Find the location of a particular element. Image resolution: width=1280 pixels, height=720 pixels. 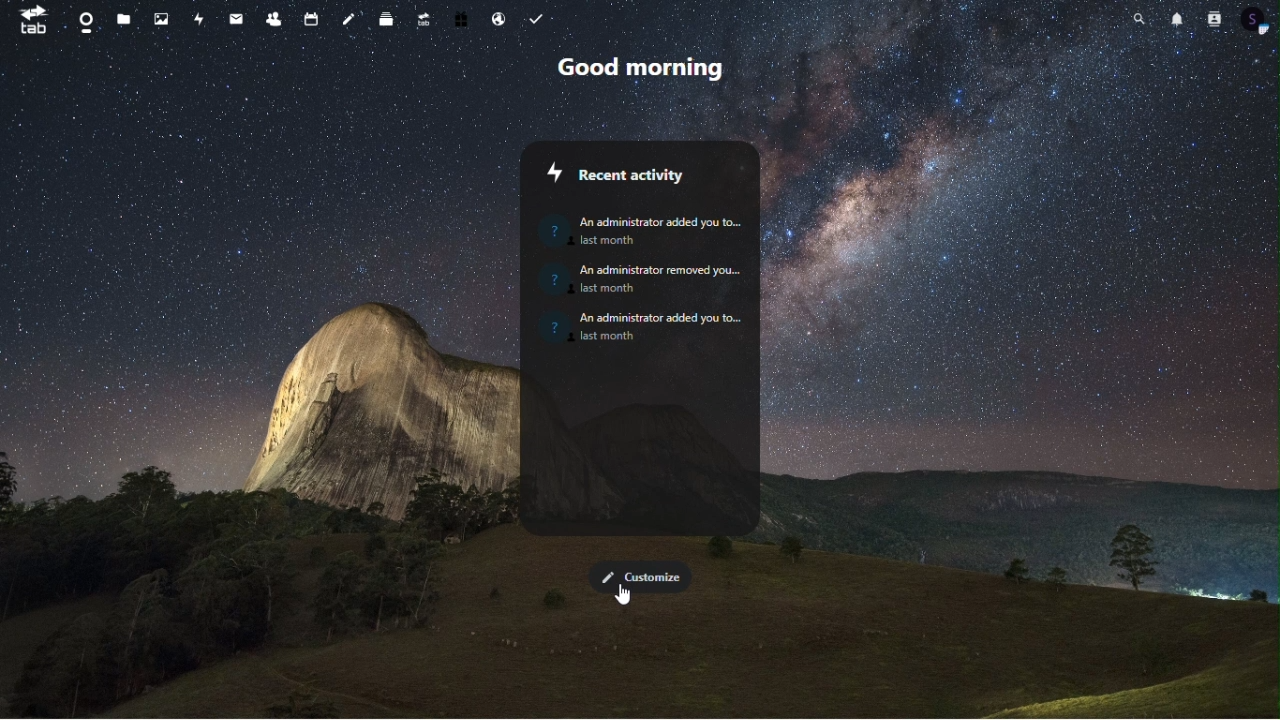

deck is located at coordinates (386, 22).